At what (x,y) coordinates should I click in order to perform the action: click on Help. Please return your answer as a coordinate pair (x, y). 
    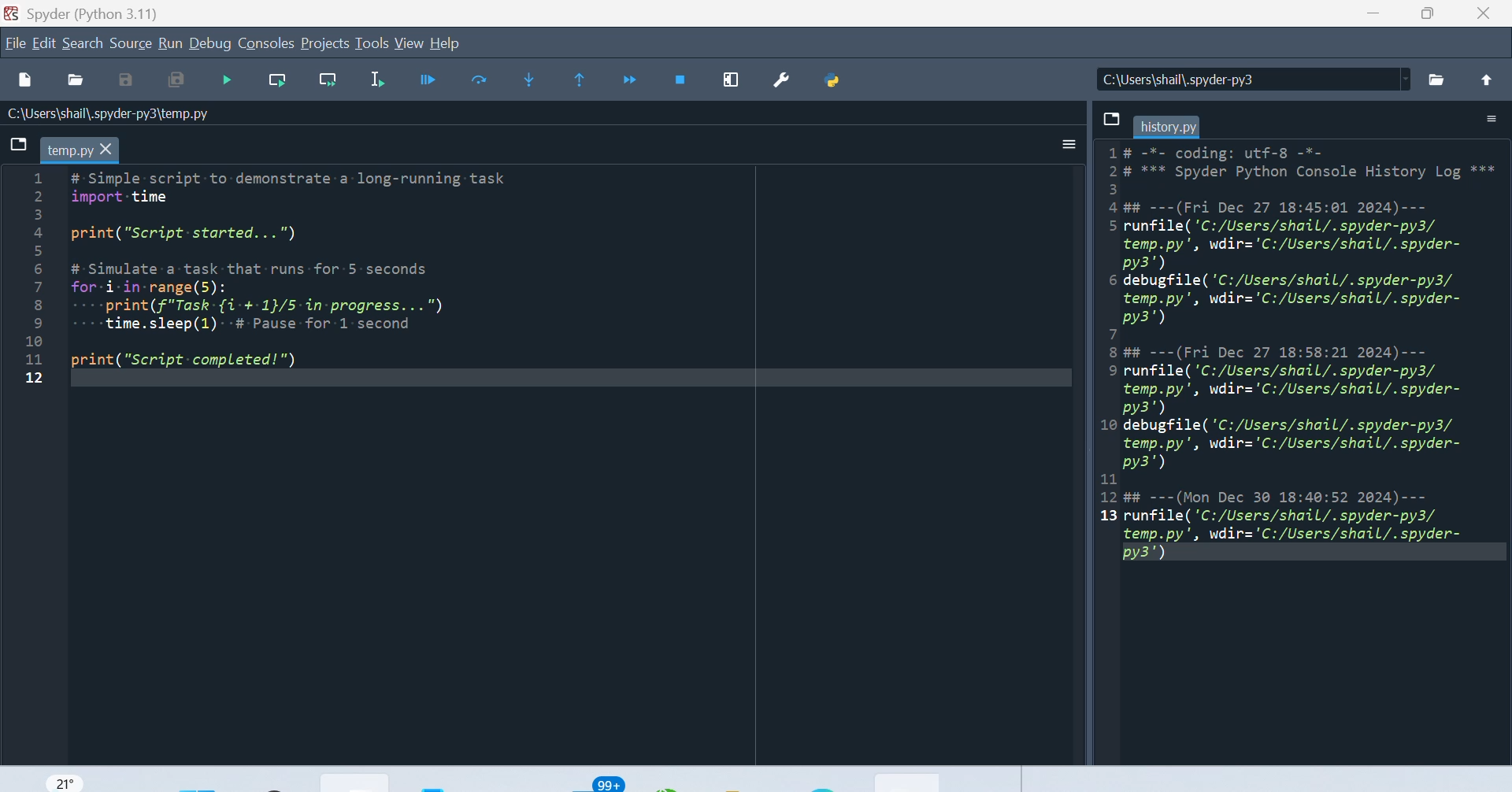
    Looking at the image, I should click on (452, 45).